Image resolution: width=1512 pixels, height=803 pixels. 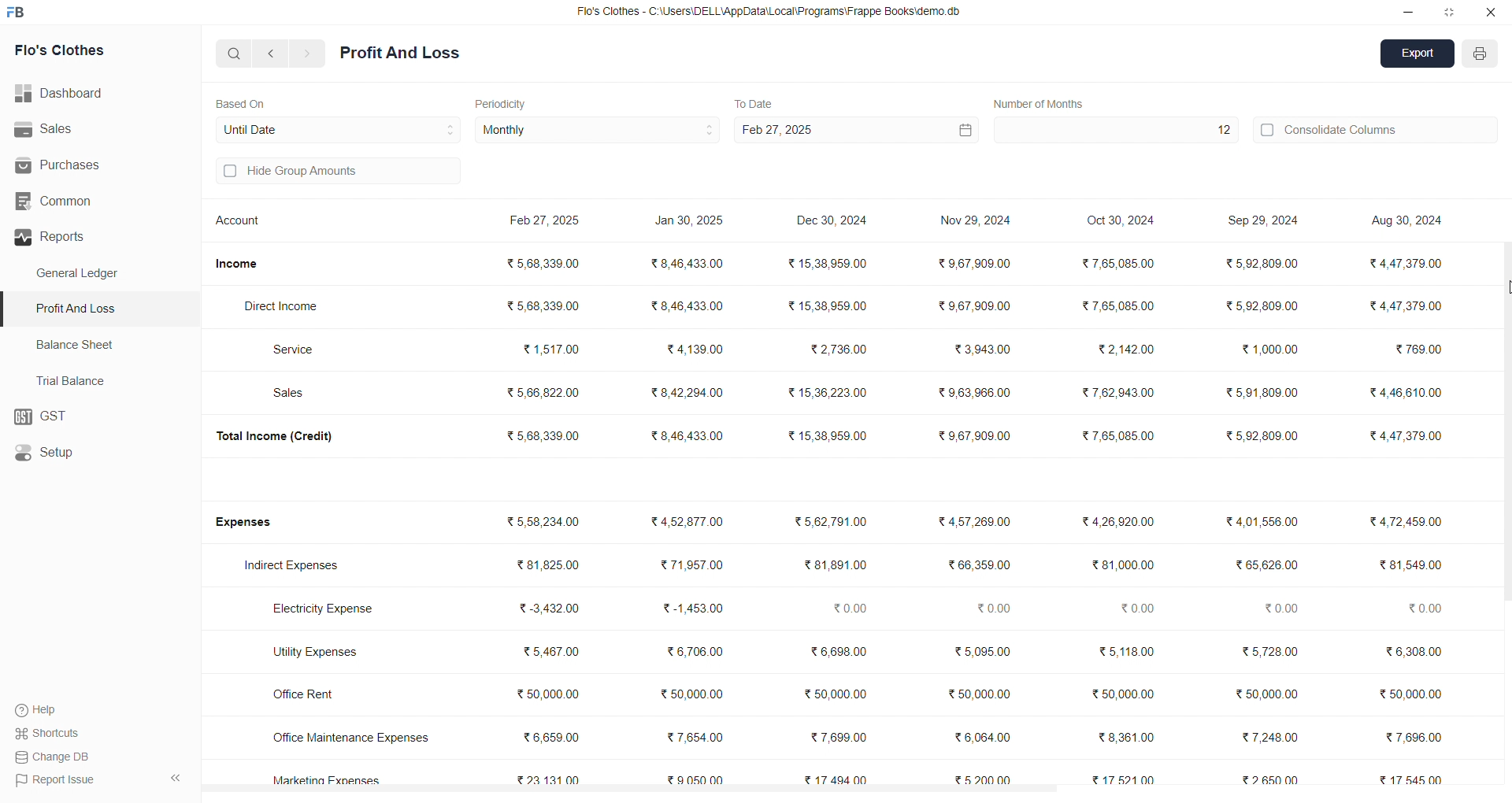 What do you see at coordinates (551, 609) in the screenshot?
I see `₹3,432.00` at bounding box center [551, 609].